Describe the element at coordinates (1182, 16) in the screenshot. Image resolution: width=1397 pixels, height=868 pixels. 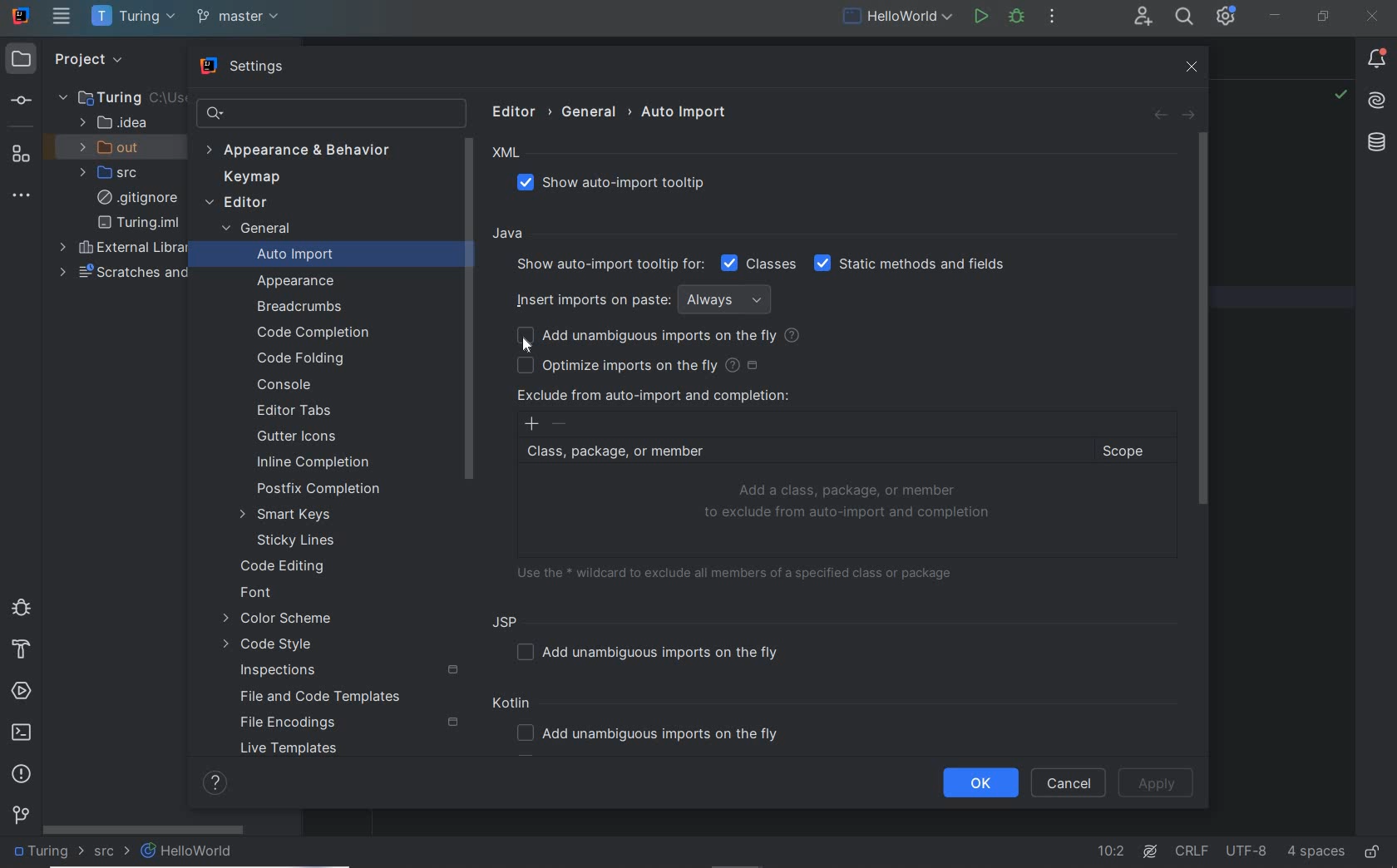
I see `SEARCH` at that location.